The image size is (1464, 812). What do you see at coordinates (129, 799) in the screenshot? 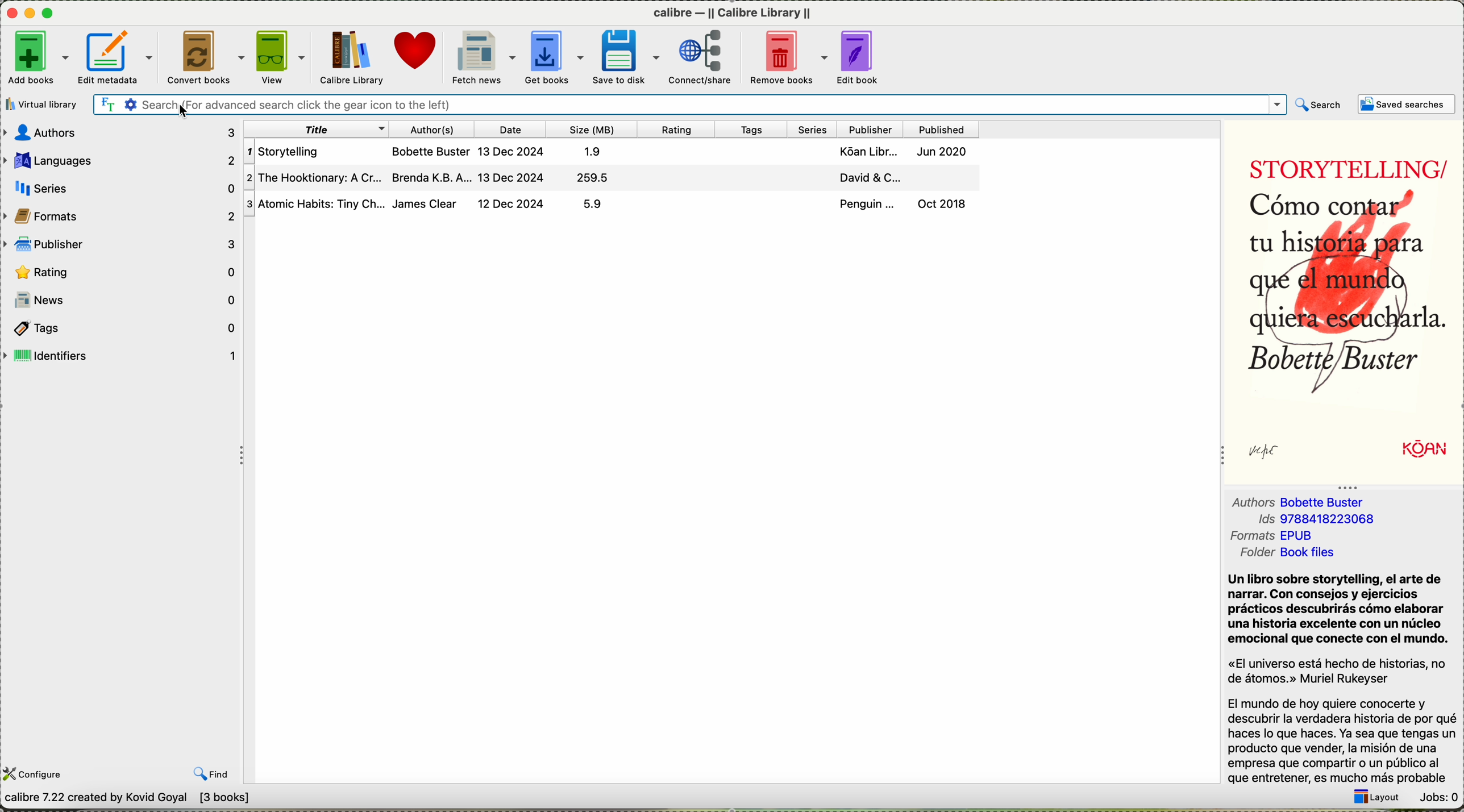
I see `calibre 7.22 created by Kovid Goyal [3 books]` at bounding box center [129, 799].